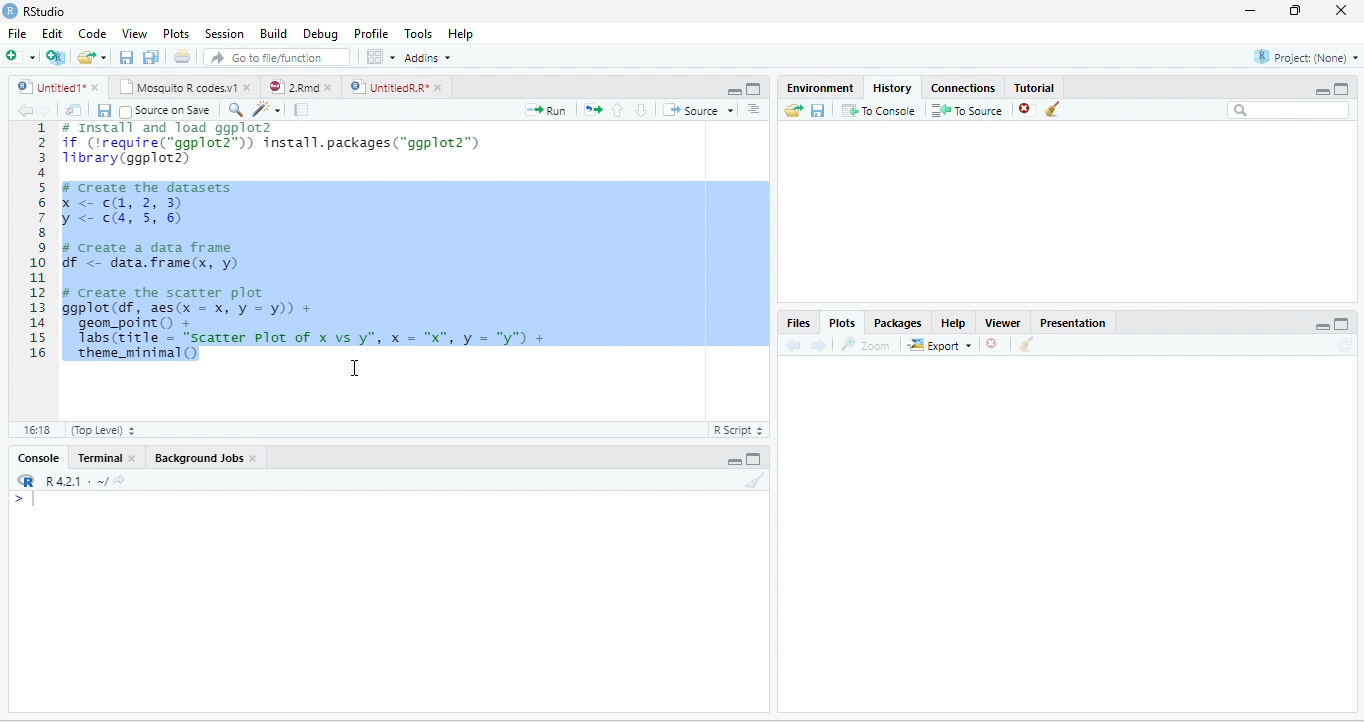 The image size is (1364, 722). I want to click on Workspace panes, so click(379, 56).